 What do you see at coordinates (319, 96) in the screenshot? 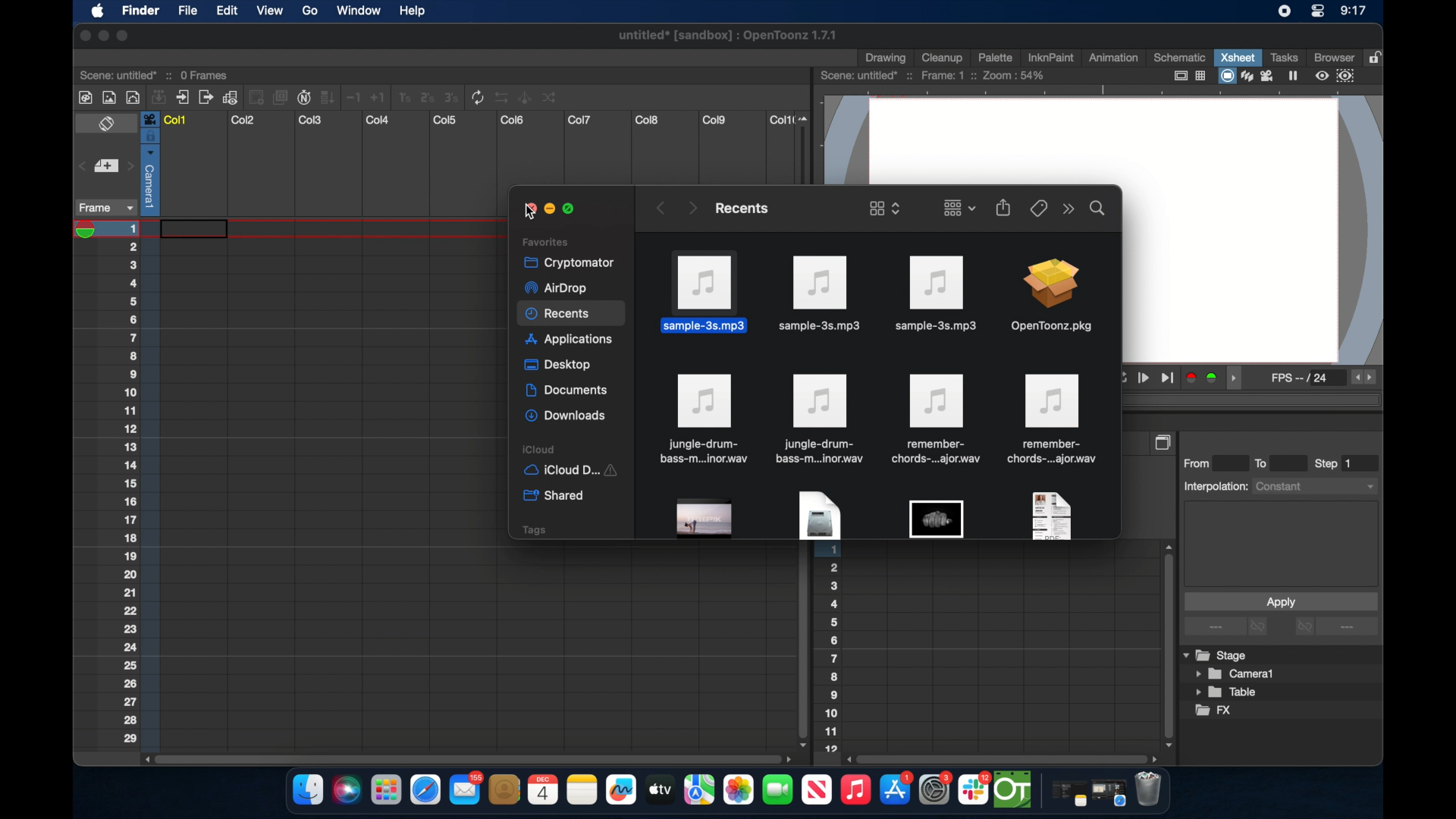
I see `more tools` at bounding box center [319, 96].